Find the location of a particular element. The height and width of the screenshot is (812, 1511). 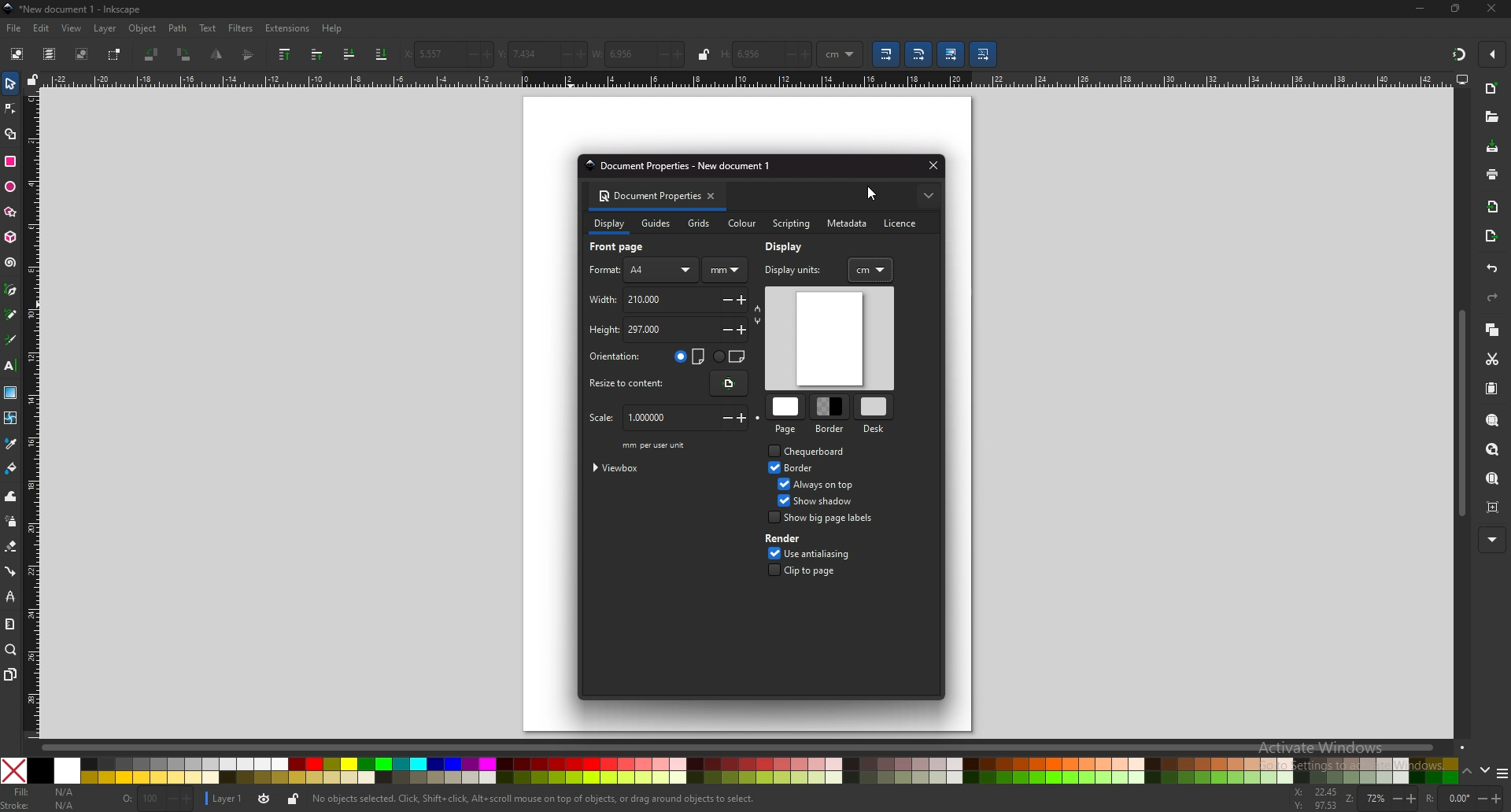

+ is located at coordinates (680, 56).